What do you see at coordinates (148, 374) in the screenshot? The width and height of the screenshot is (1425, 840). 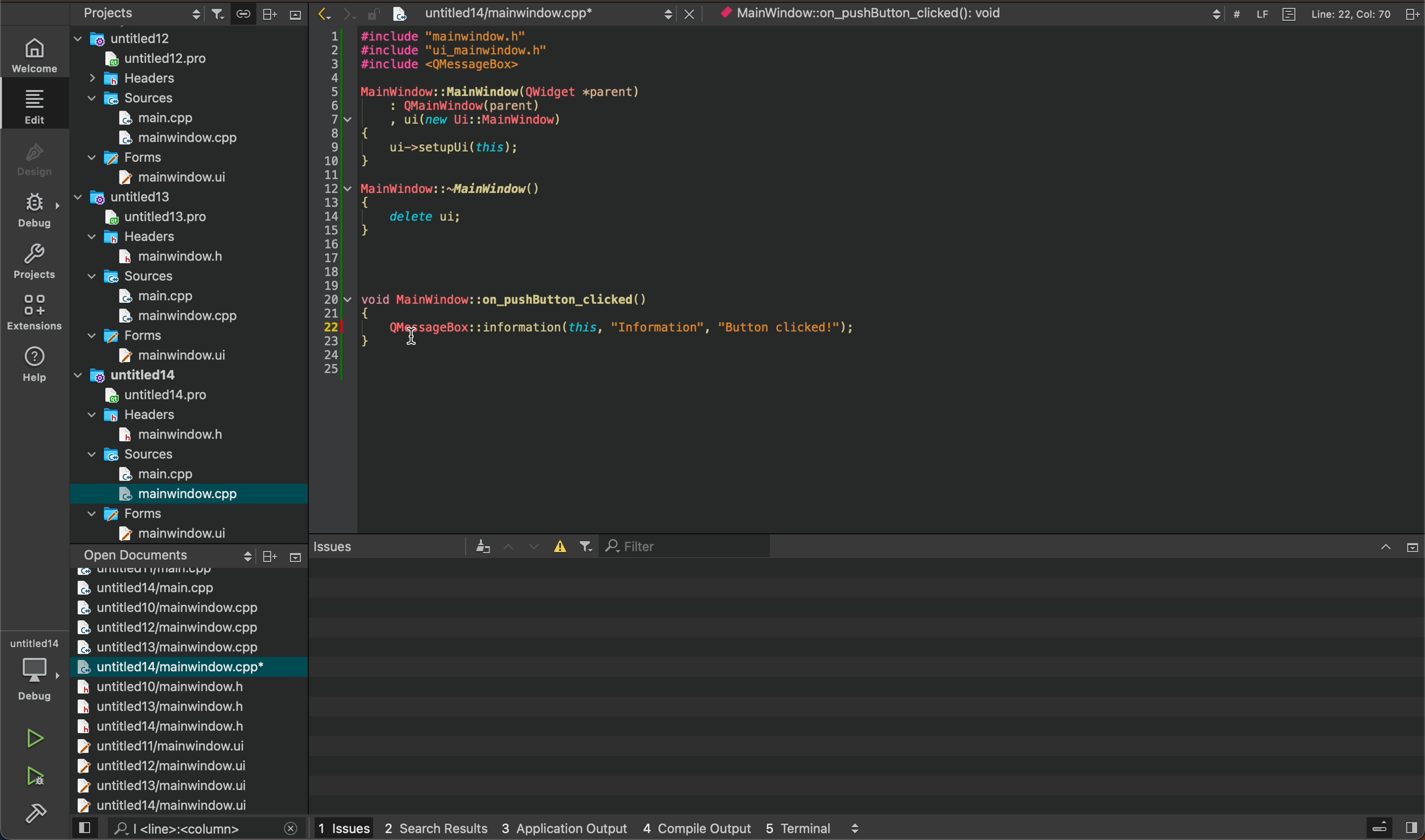 I see `untitled14` at bounding box center [148, 374].